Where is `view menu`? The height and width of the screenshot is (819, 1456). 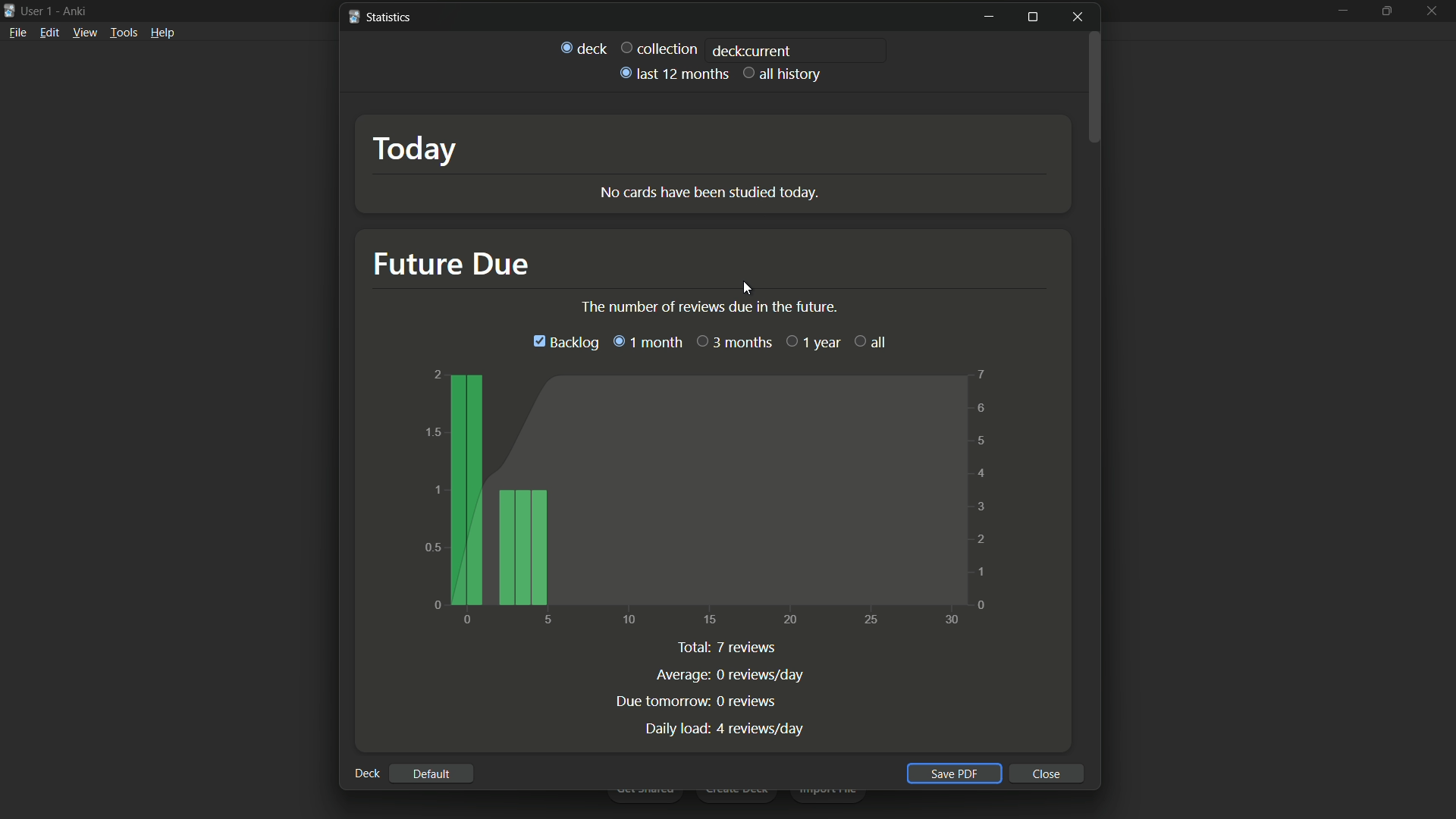
view menu is located at coordinates (85, 33).